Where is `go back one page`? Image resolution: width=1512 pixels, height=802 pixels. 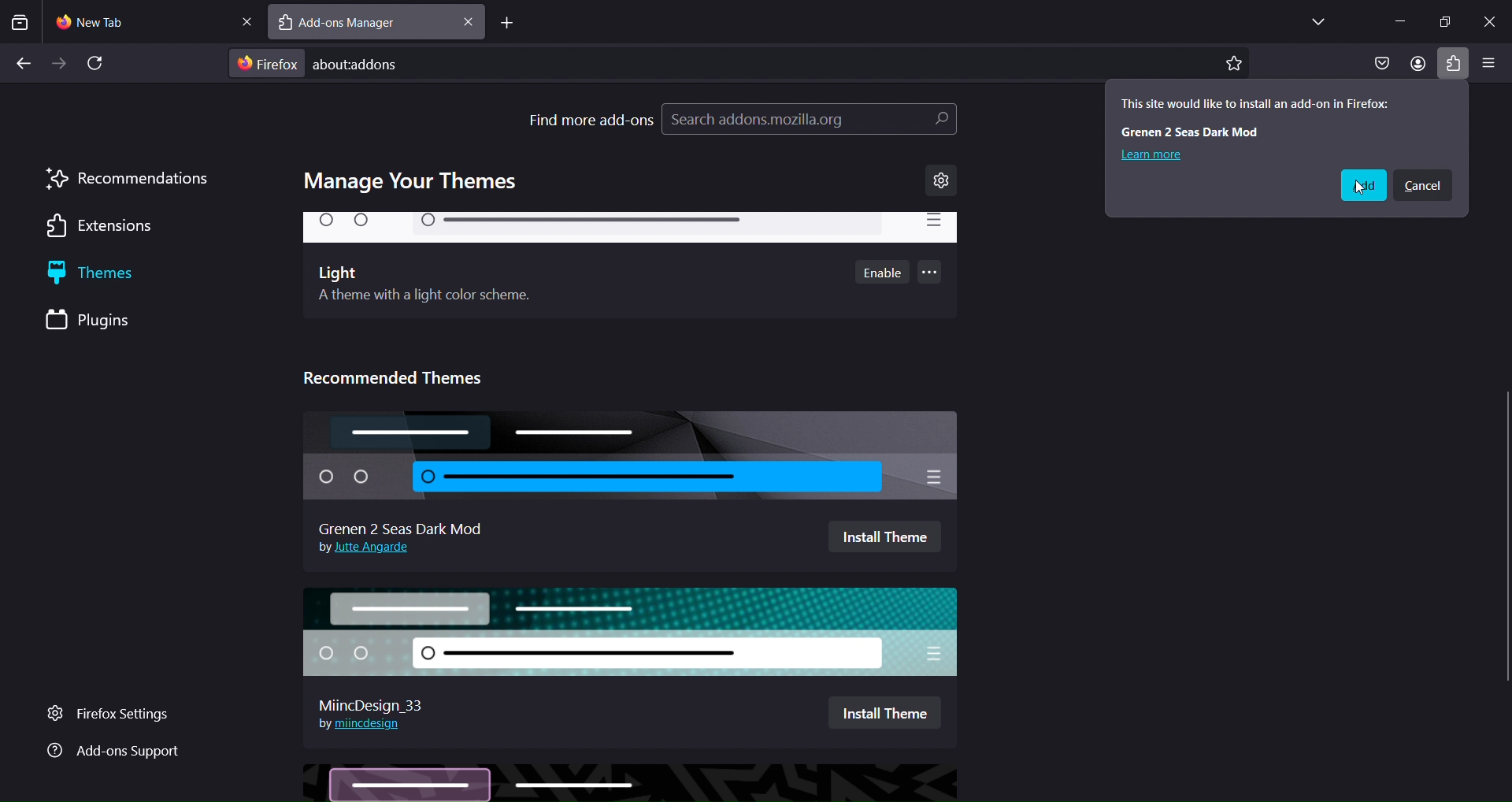 go back one page is located at coordinates (24, 61).